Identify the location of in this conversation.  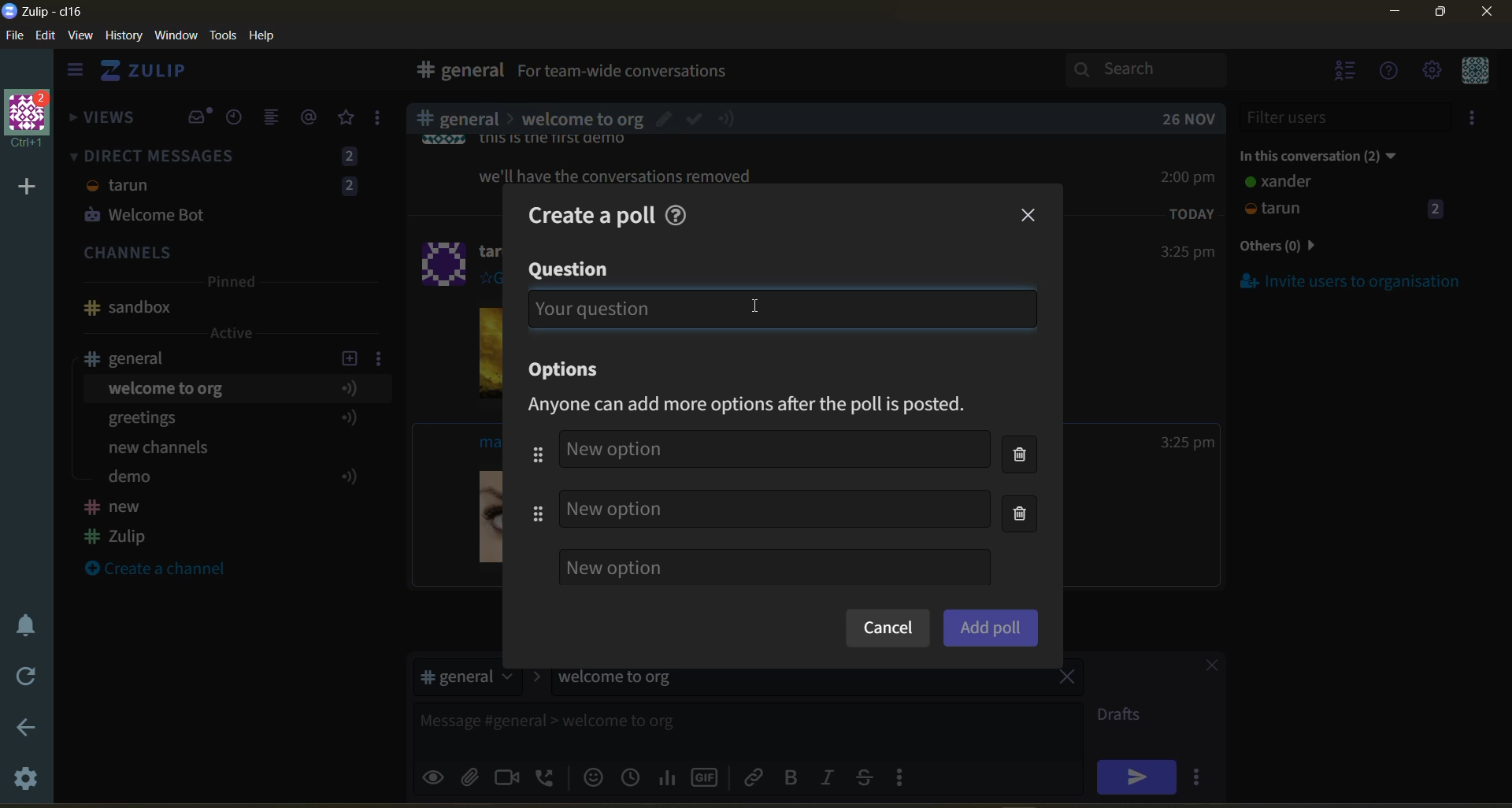
(1335, 153).